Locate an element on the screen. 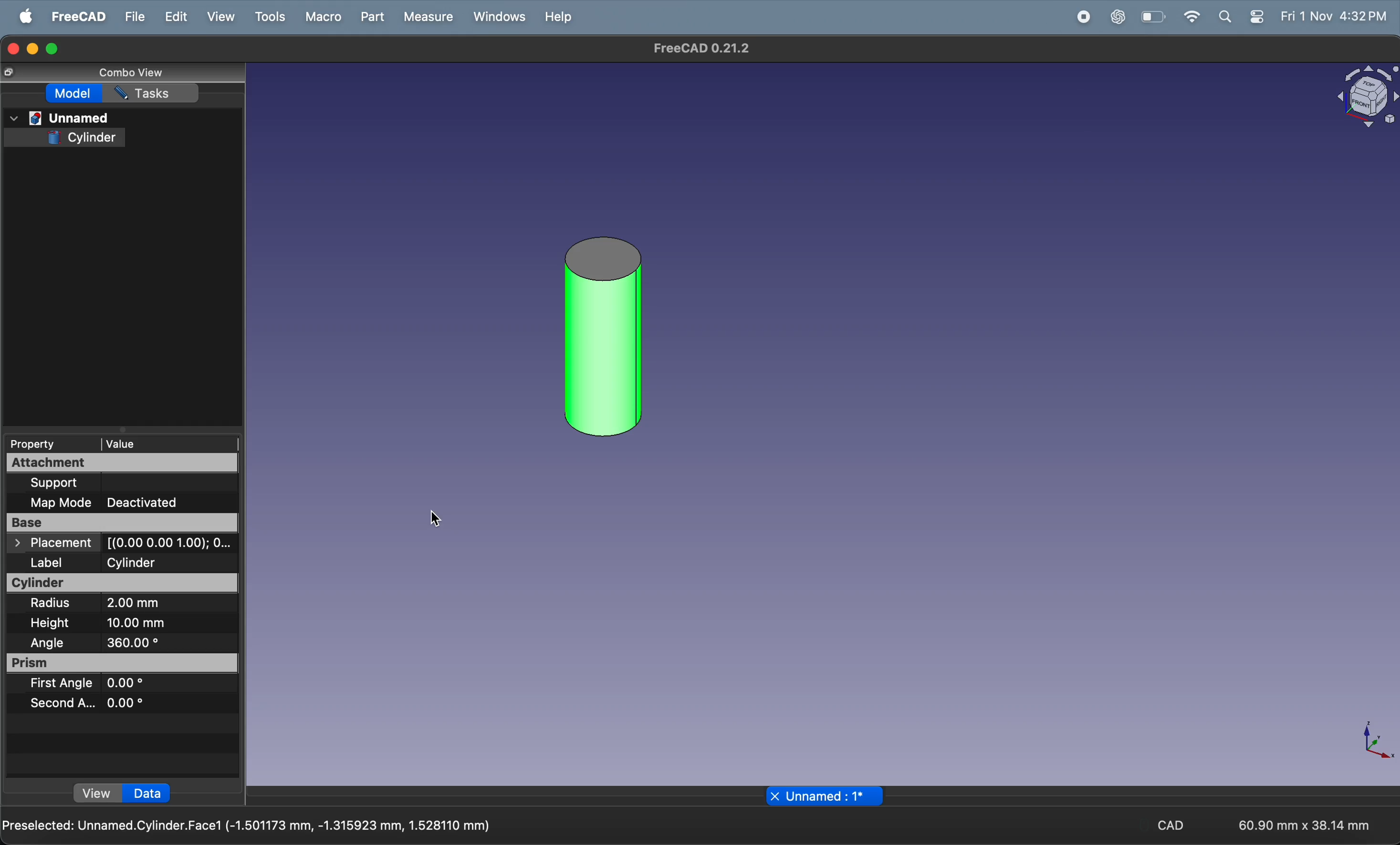 This screenshot has height=845, width=1400. cylinder is located at coordinates (604, 337).